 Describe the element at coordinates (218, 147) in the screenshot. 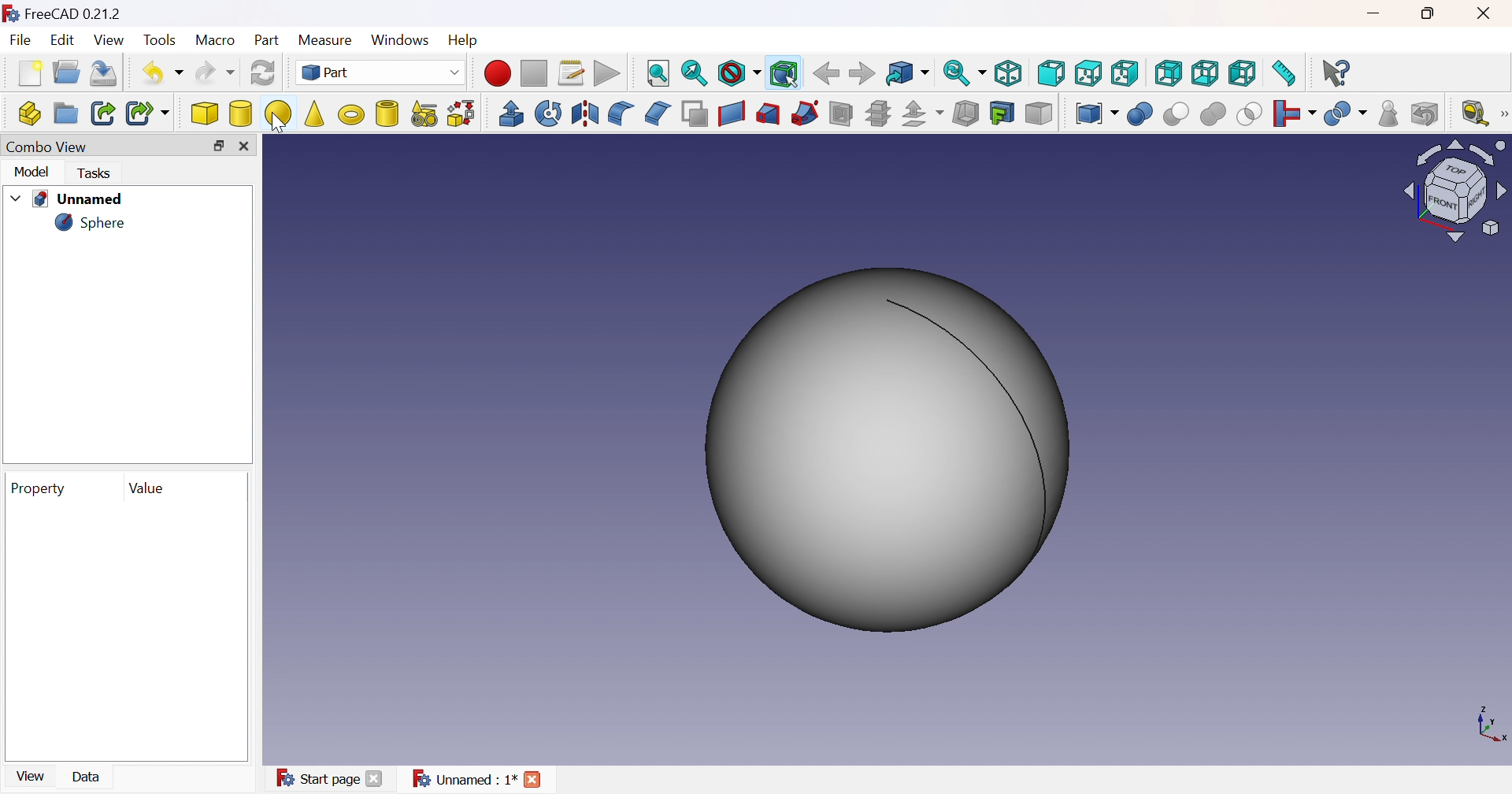

I see `Restore down` at that location.